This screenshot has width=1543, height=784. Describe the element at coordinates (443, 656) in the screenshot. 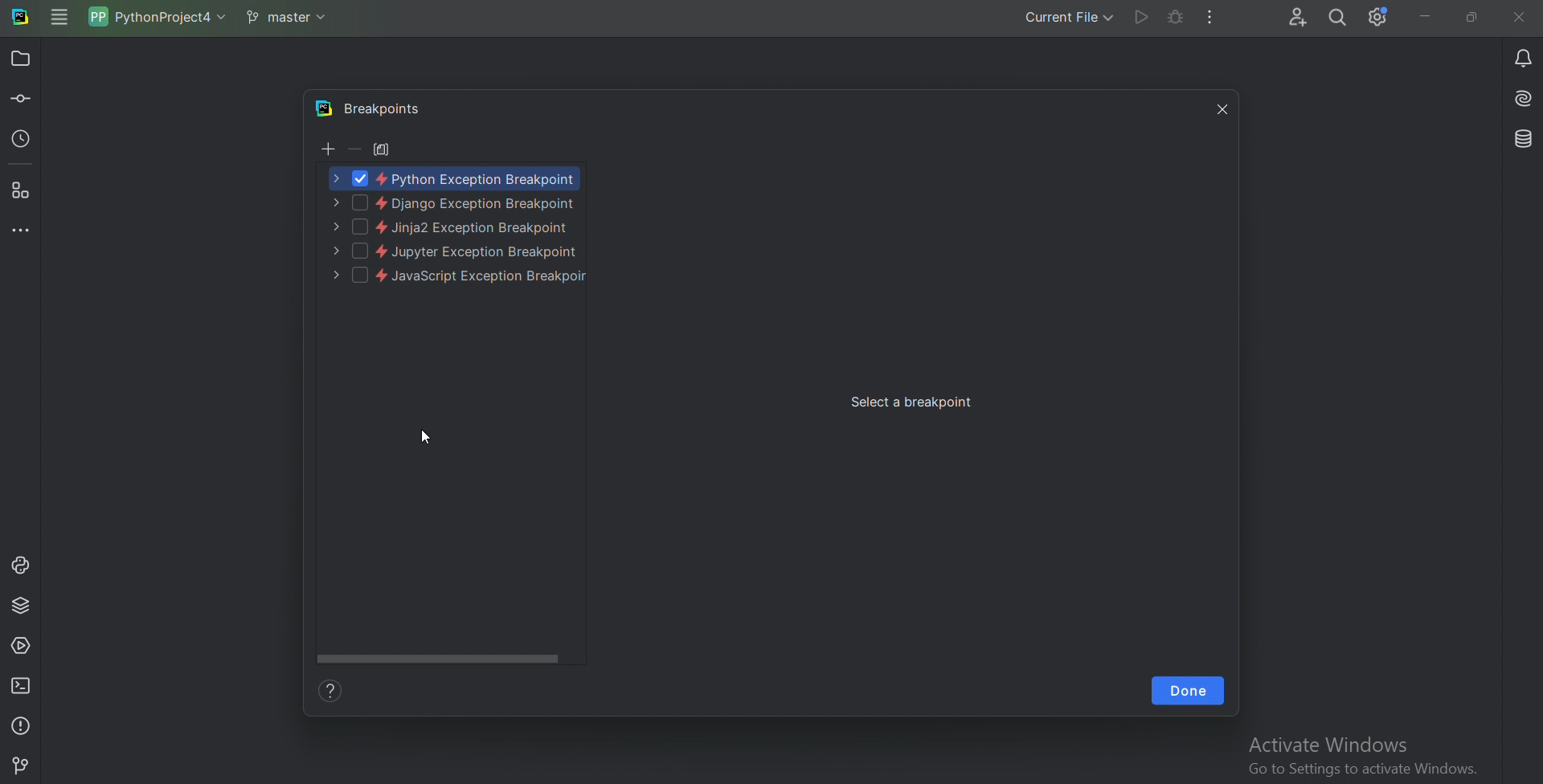

I see `scroll bar` at that location.